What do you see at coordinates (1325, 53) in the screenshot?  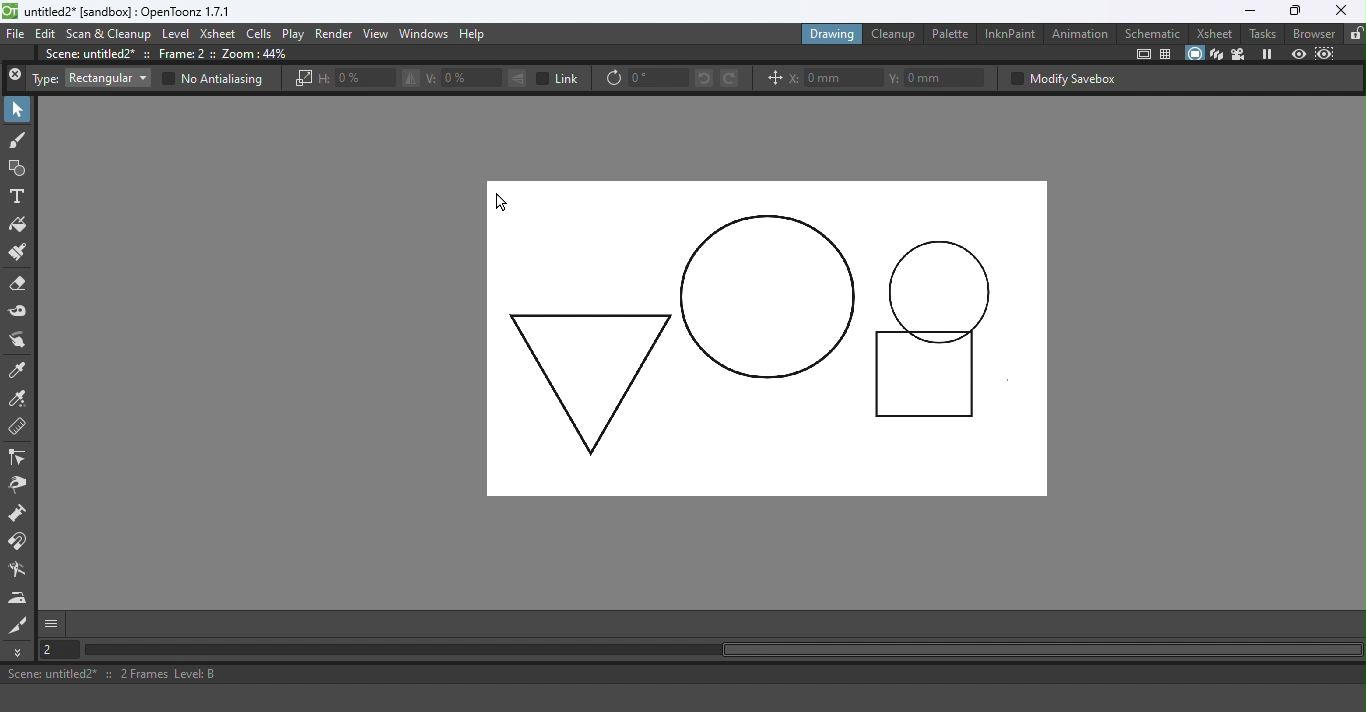 I see `Sub-camera preview` at bounding box center [1325, 53].